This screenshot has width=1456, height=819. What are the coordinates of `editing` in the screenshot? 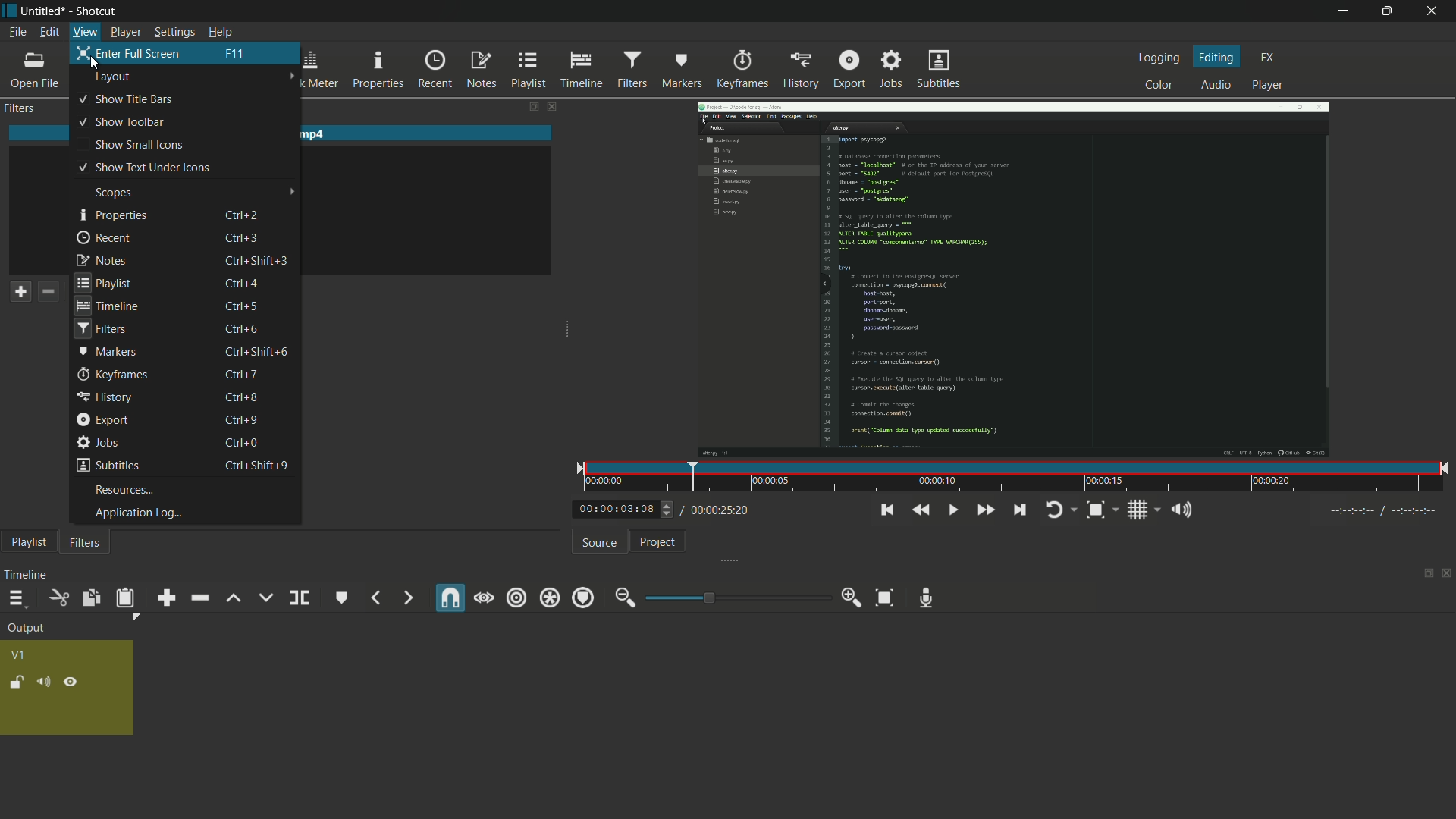 It's located at (1216, 58).